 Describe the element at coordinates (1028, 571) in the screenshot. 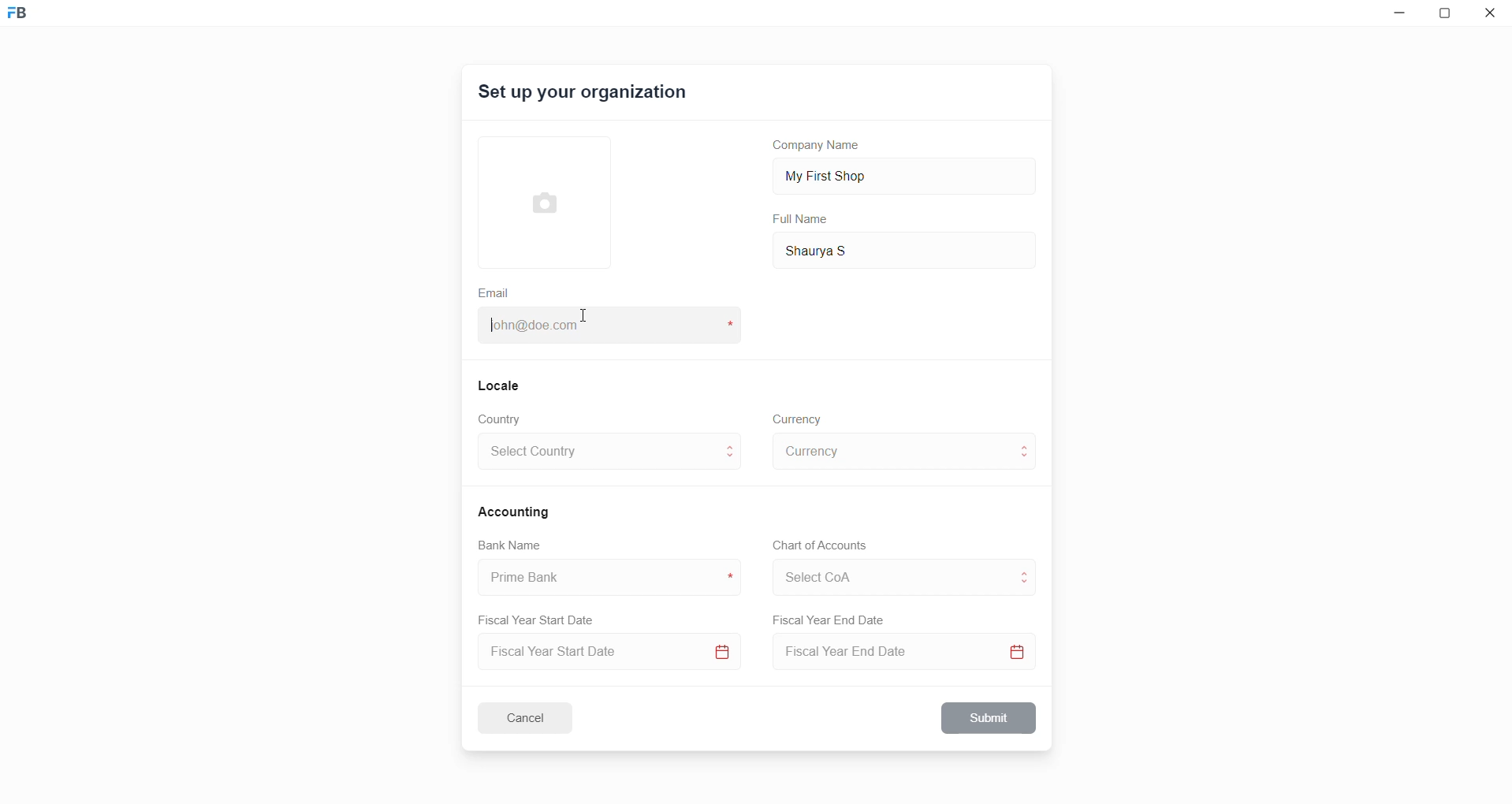

I see `move to above CoA` at that location.